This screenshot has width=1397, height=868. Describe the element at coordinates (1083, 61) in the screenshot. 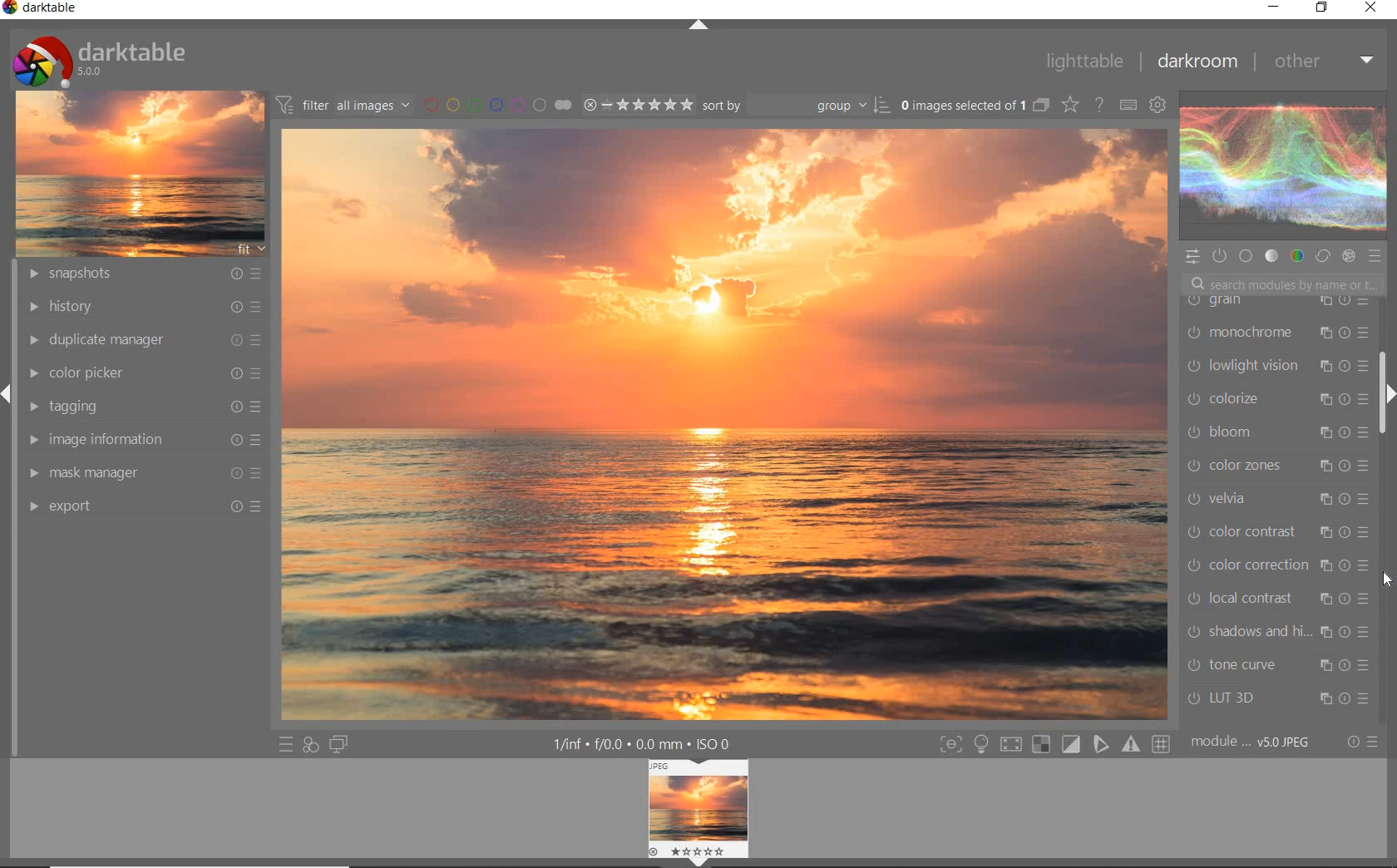

I see `lighttable` at that location.